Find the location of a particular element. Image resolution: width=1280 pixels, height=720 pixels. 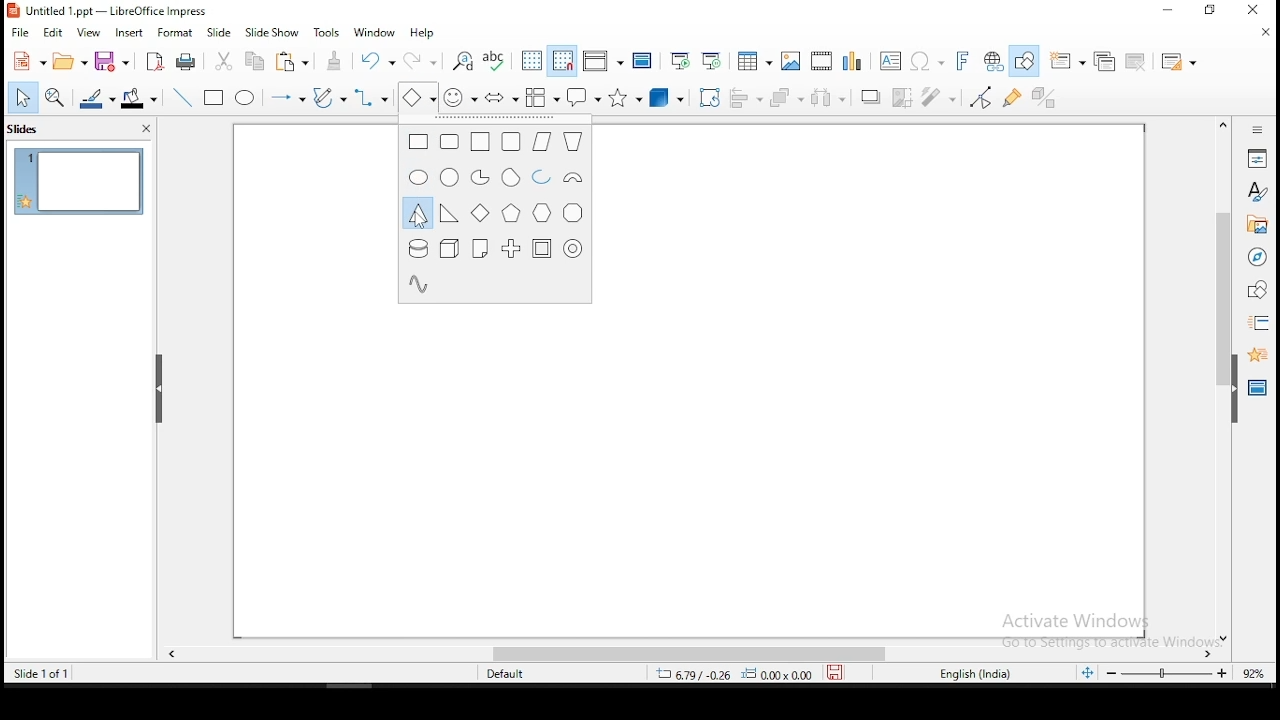

6.9 / -0.26 is located at coordinates (690, 676).